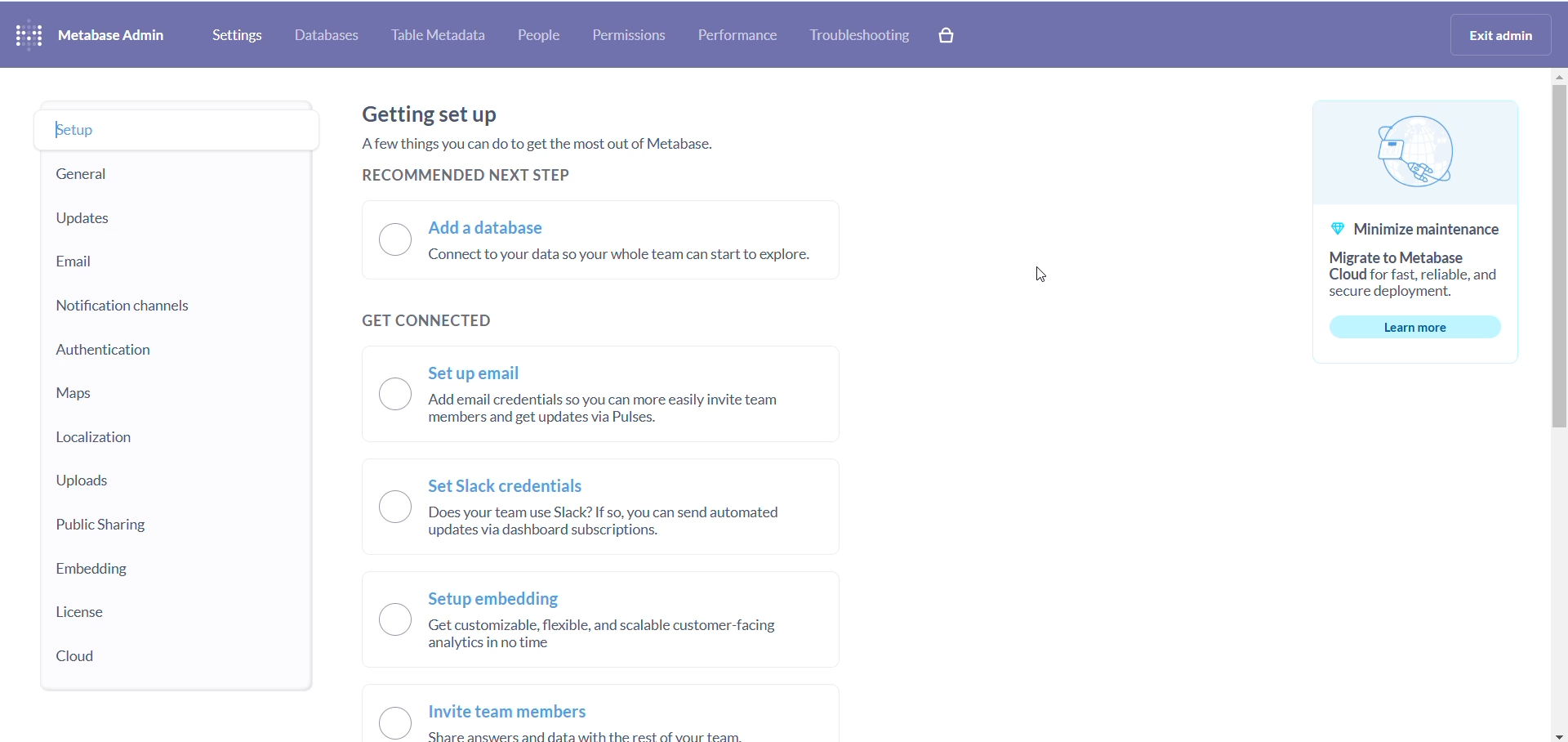  I want to click on setup email radio button, so click(379, 395).